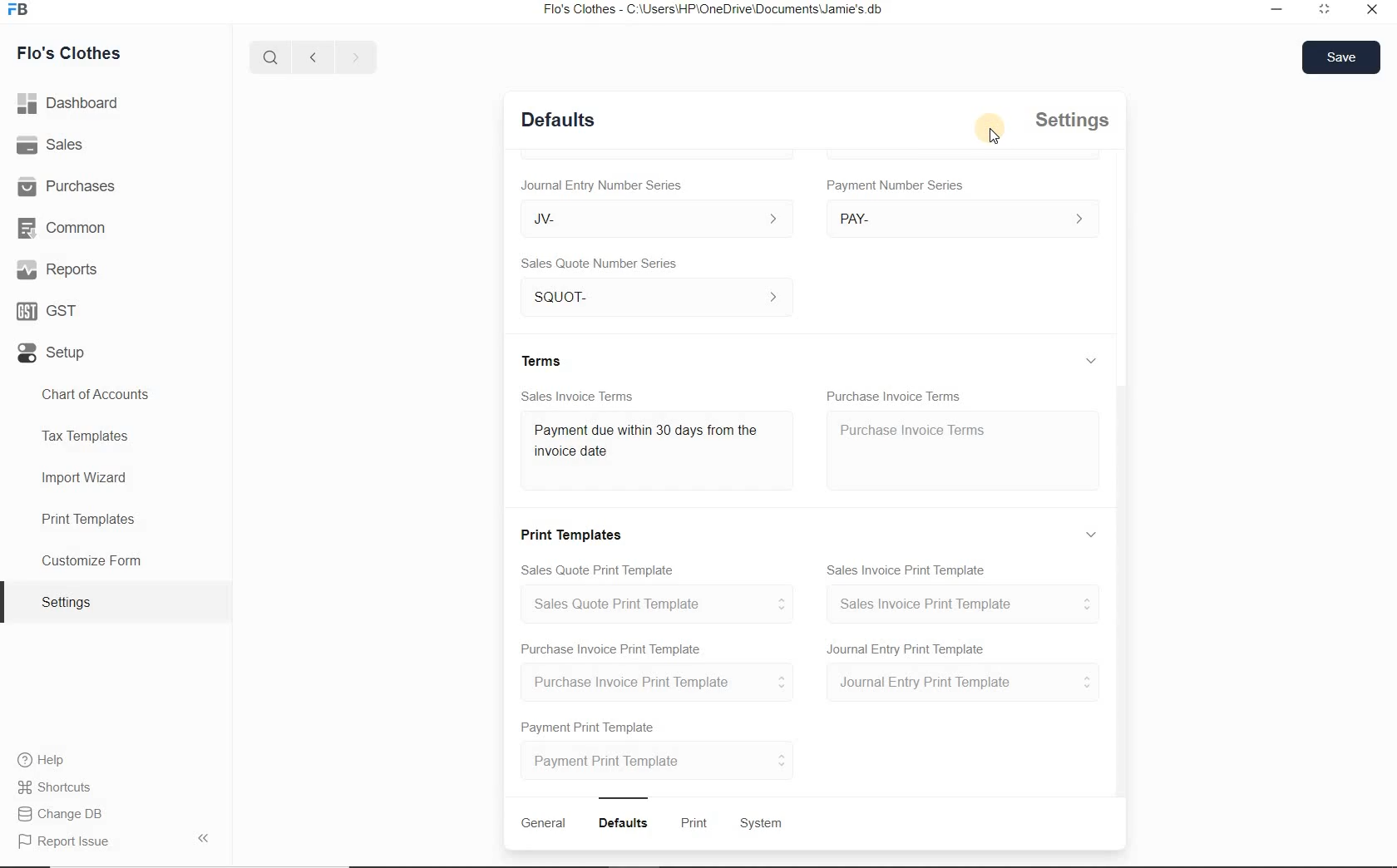 The width and height of the screenshot is (1397, 868). I want to click on Help, so click(41, 759).